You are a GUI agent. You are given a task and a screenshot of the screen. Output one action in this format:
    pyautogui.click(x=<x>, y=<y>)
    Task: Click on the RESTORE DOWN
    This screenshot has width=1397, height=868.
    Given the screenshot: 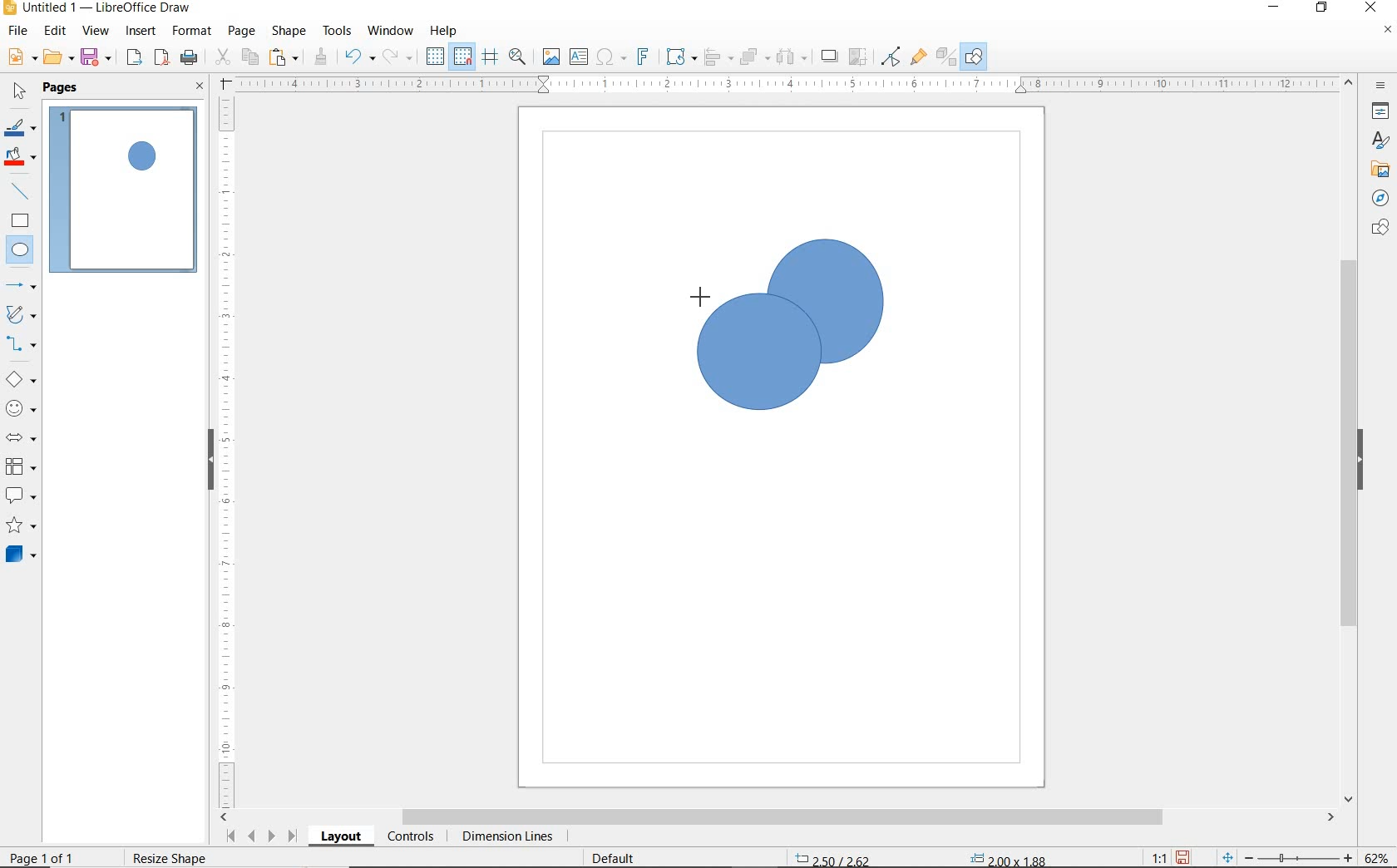 What is the action you would take?
    pyautogui.click(x=1322, y=8)
    